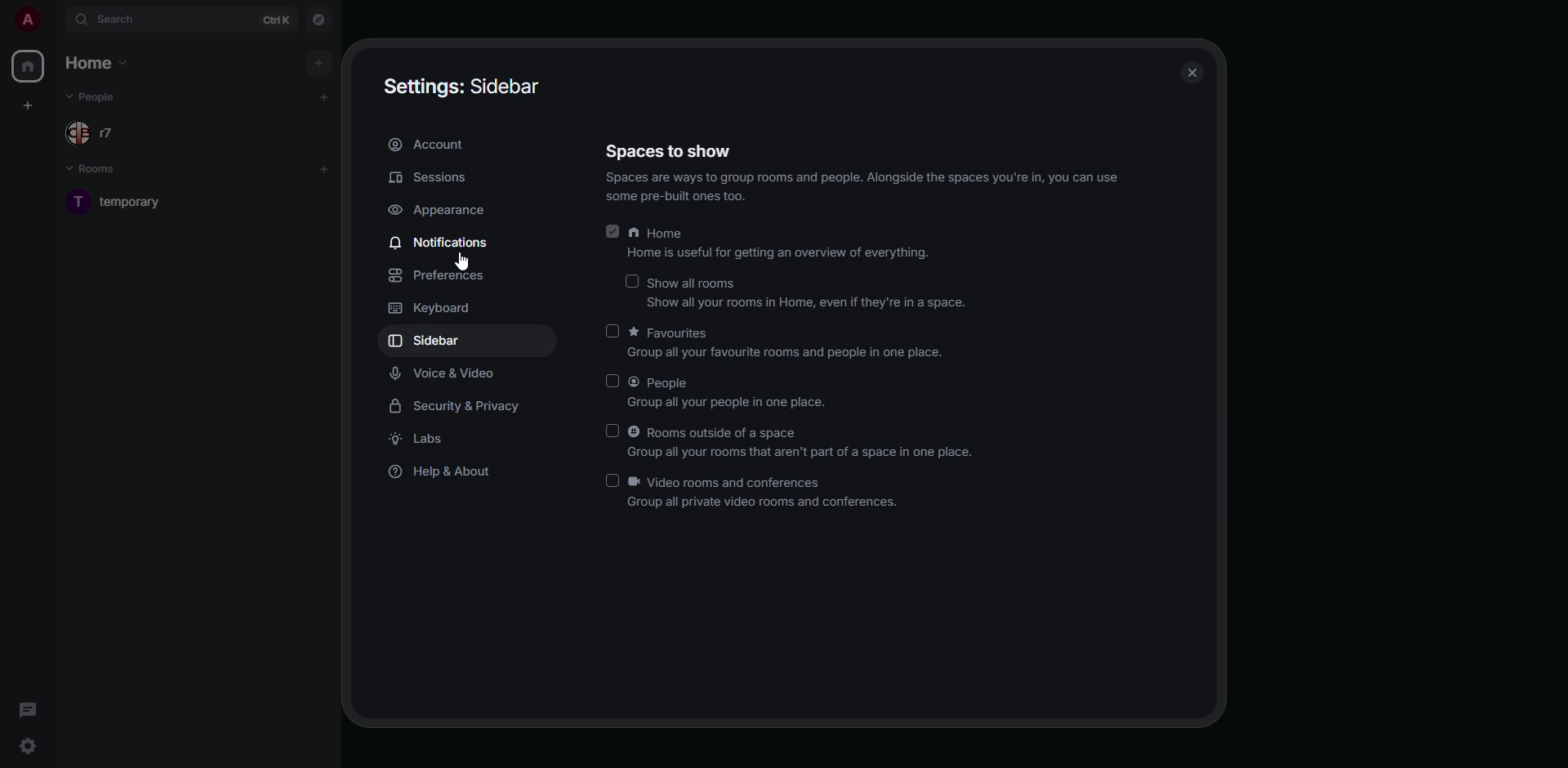 The image size is (1568, 768). What do you see at coordinates (432, 310) in the screenshot?
I see `keyboard` at bounding box center [432, 310].